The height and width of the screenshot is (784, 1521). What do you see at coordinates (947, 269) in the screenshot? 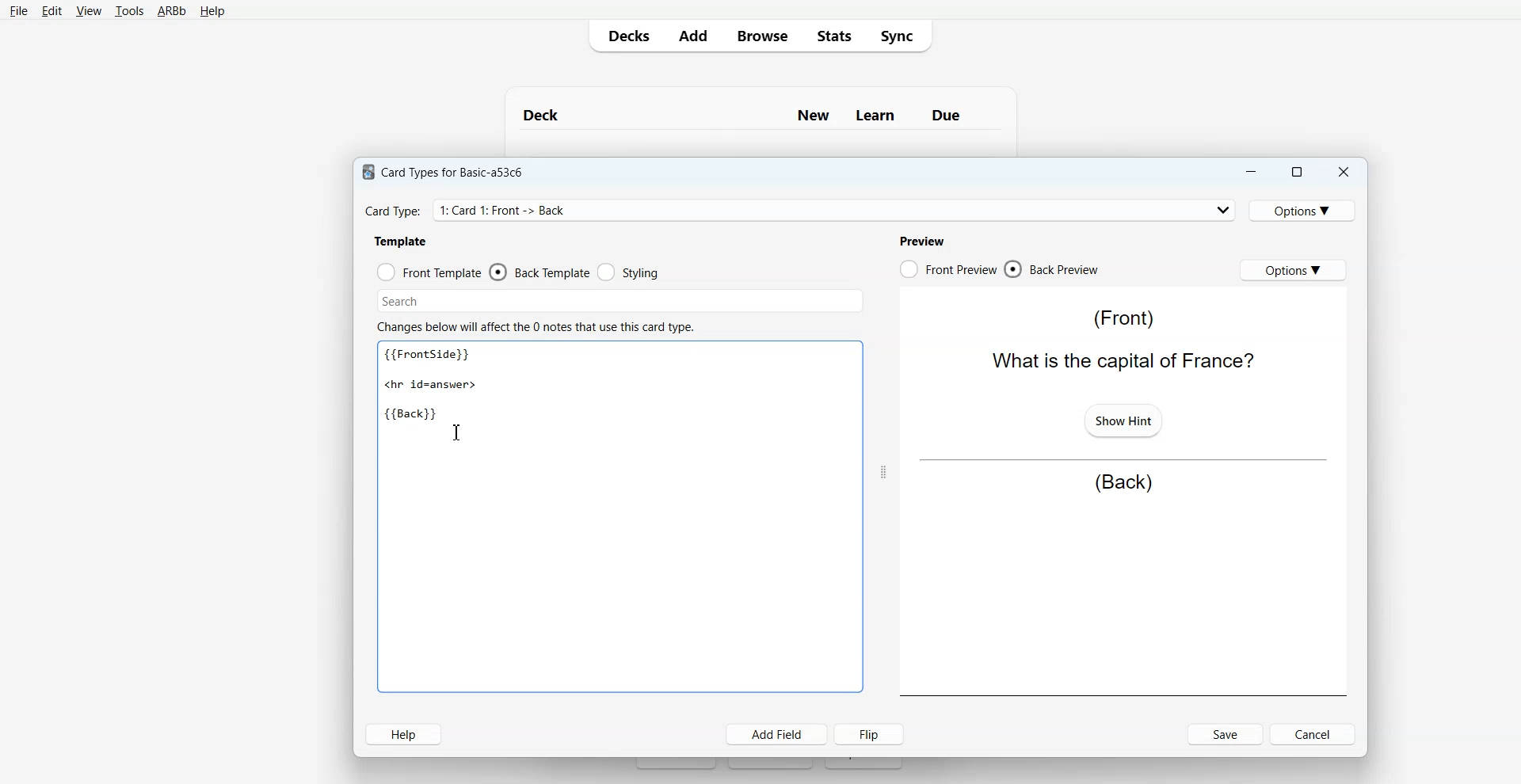
I see `Front Preview` at bounding box center [947, 269].